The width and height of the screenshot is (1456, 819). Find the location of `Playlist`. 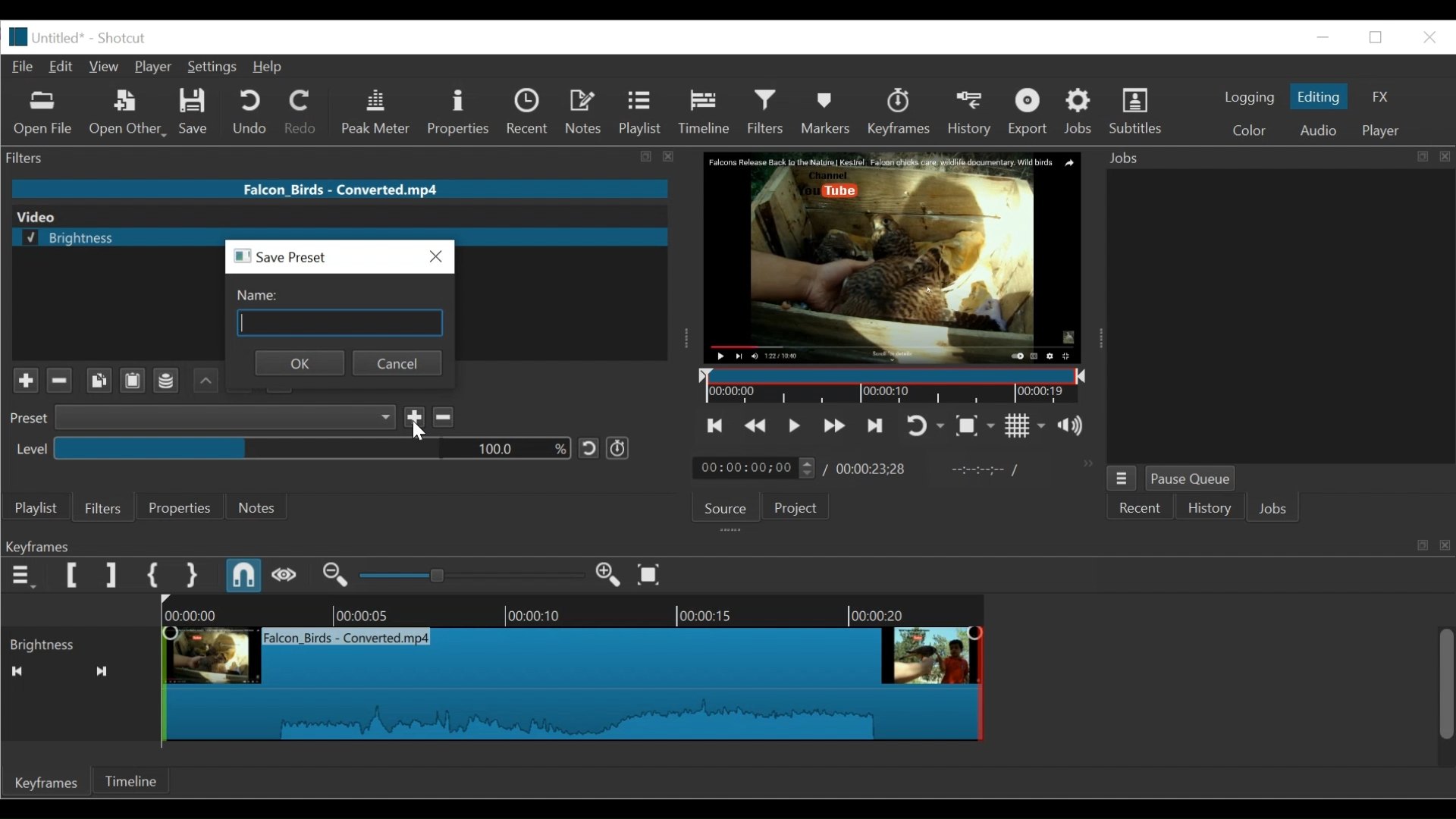

Playlist is located at coordinates (640, 114).